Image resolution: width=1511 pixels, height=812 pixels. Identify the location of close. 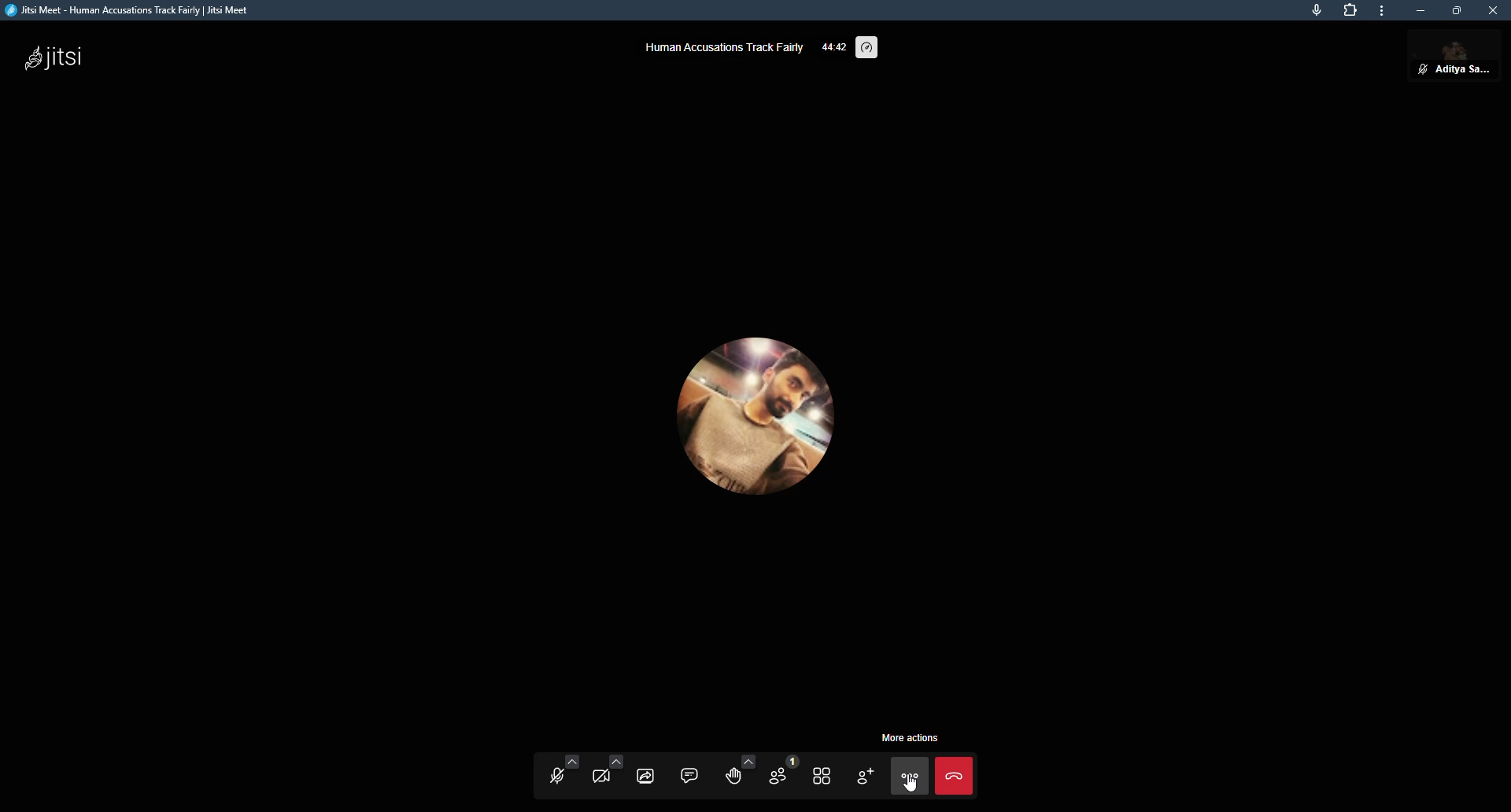
(1495, 10).